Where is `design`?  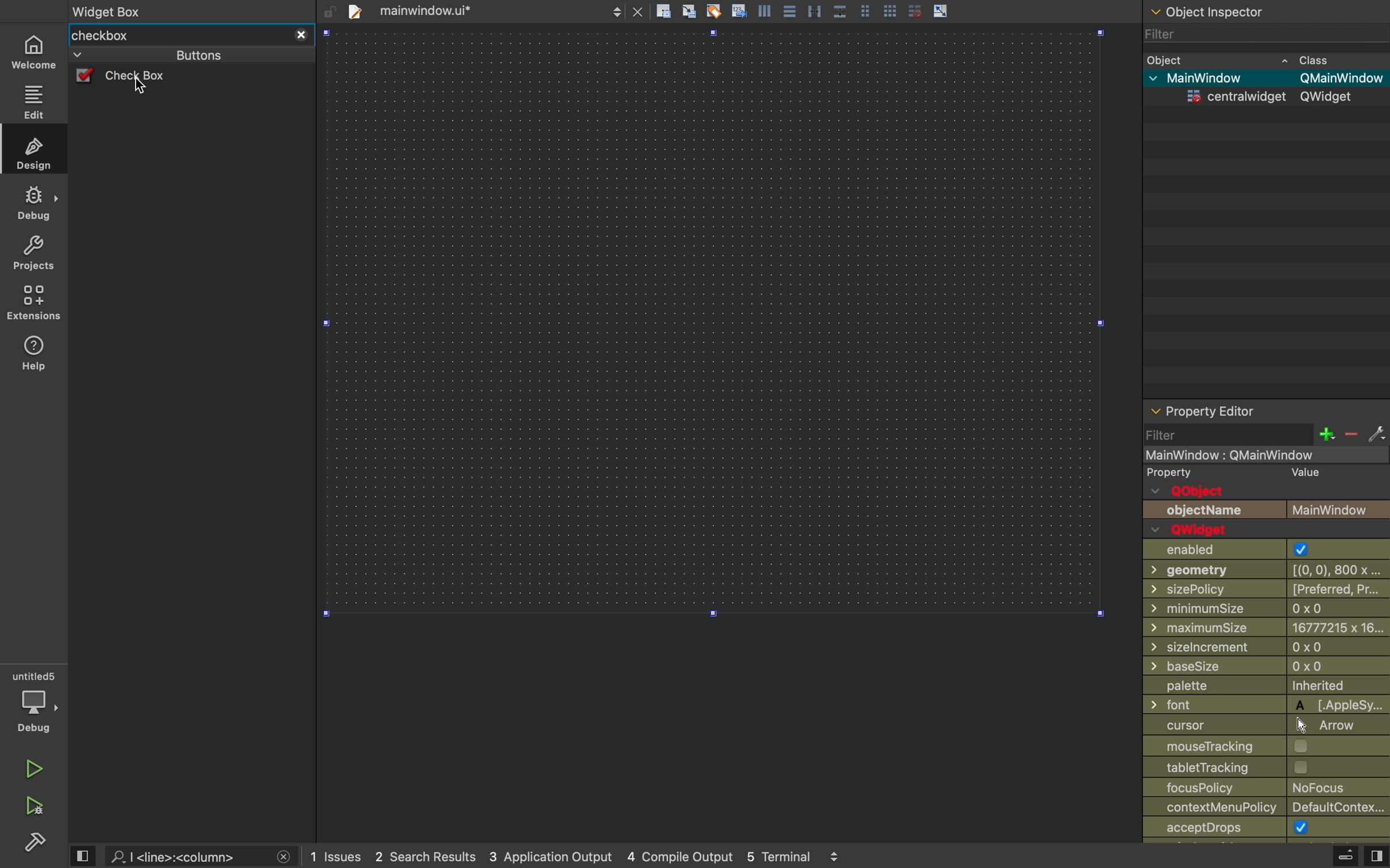 design is located at coordinates (34, 152).